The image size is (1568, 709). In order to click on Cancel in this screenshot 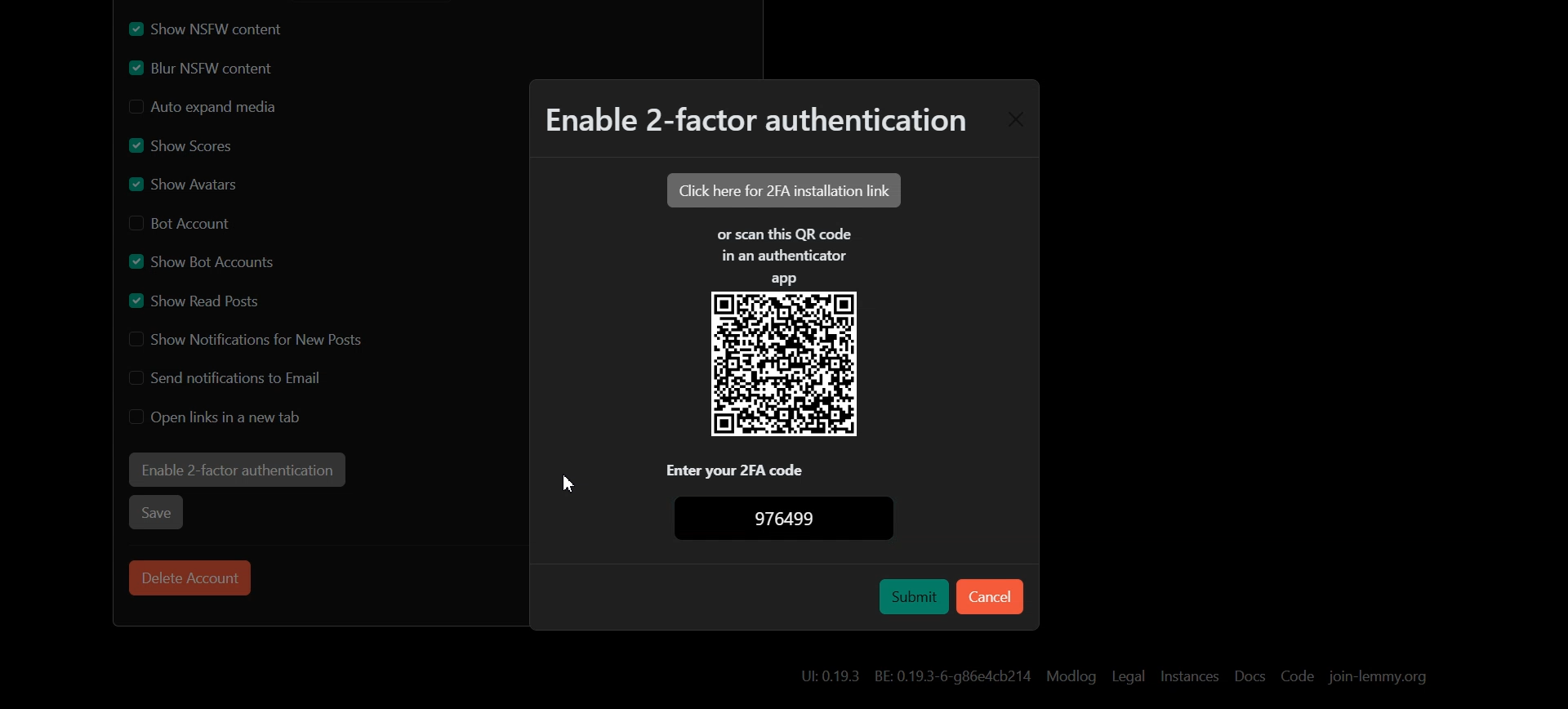, I will do `click(990, 596)`.